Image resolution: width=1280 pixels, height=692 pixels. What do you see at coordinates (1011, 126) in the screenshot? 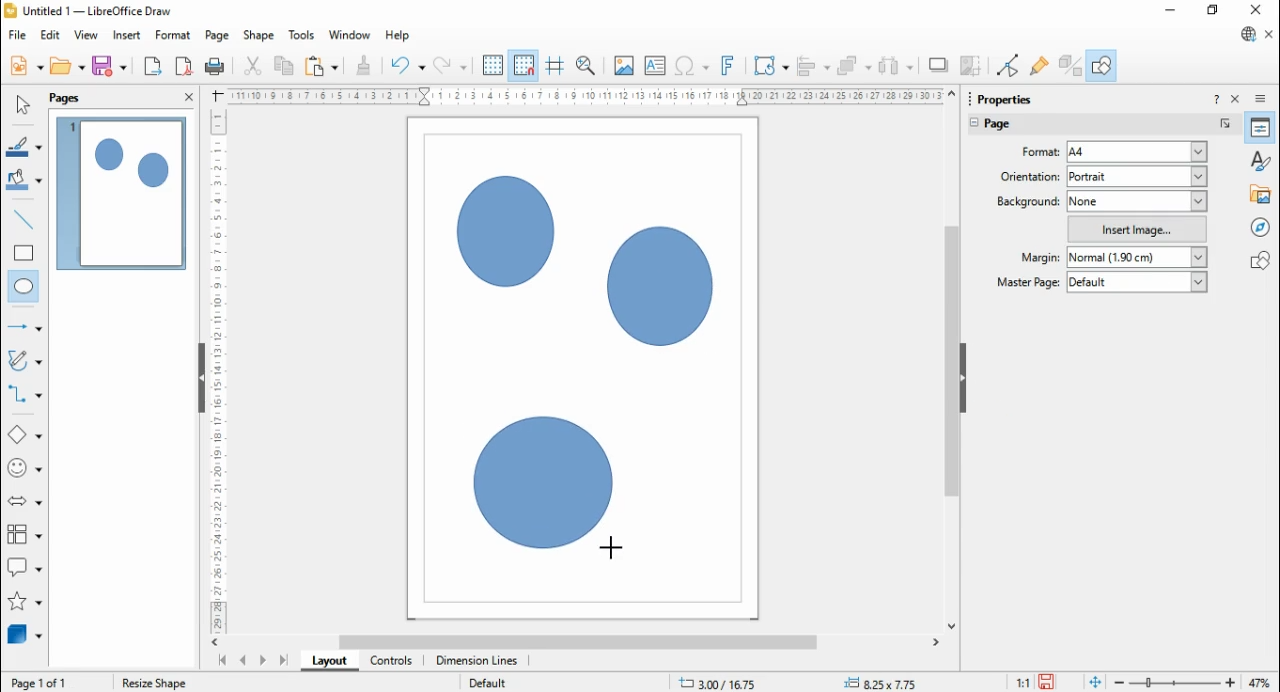
I see `page` at bounding box center [1011, 126].